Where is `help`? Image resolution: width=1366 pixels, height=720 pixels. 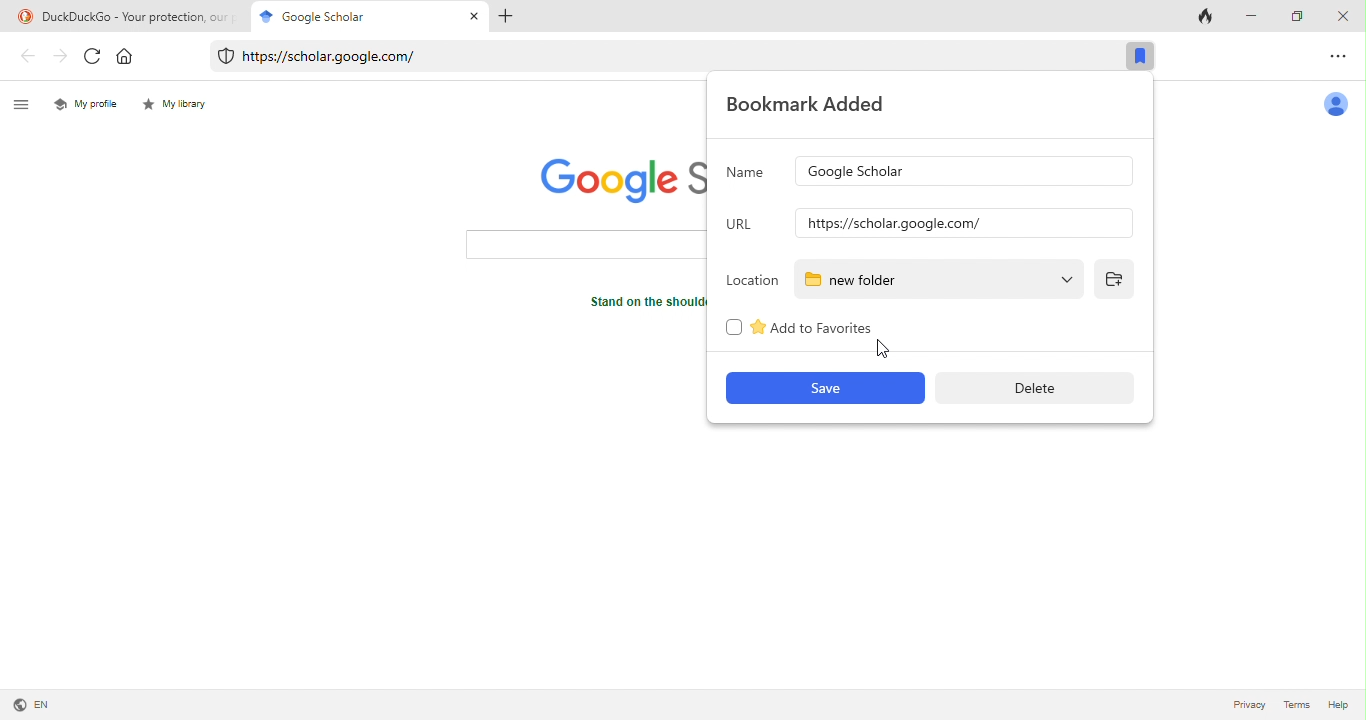 help is located at coordinates (1337, 706).